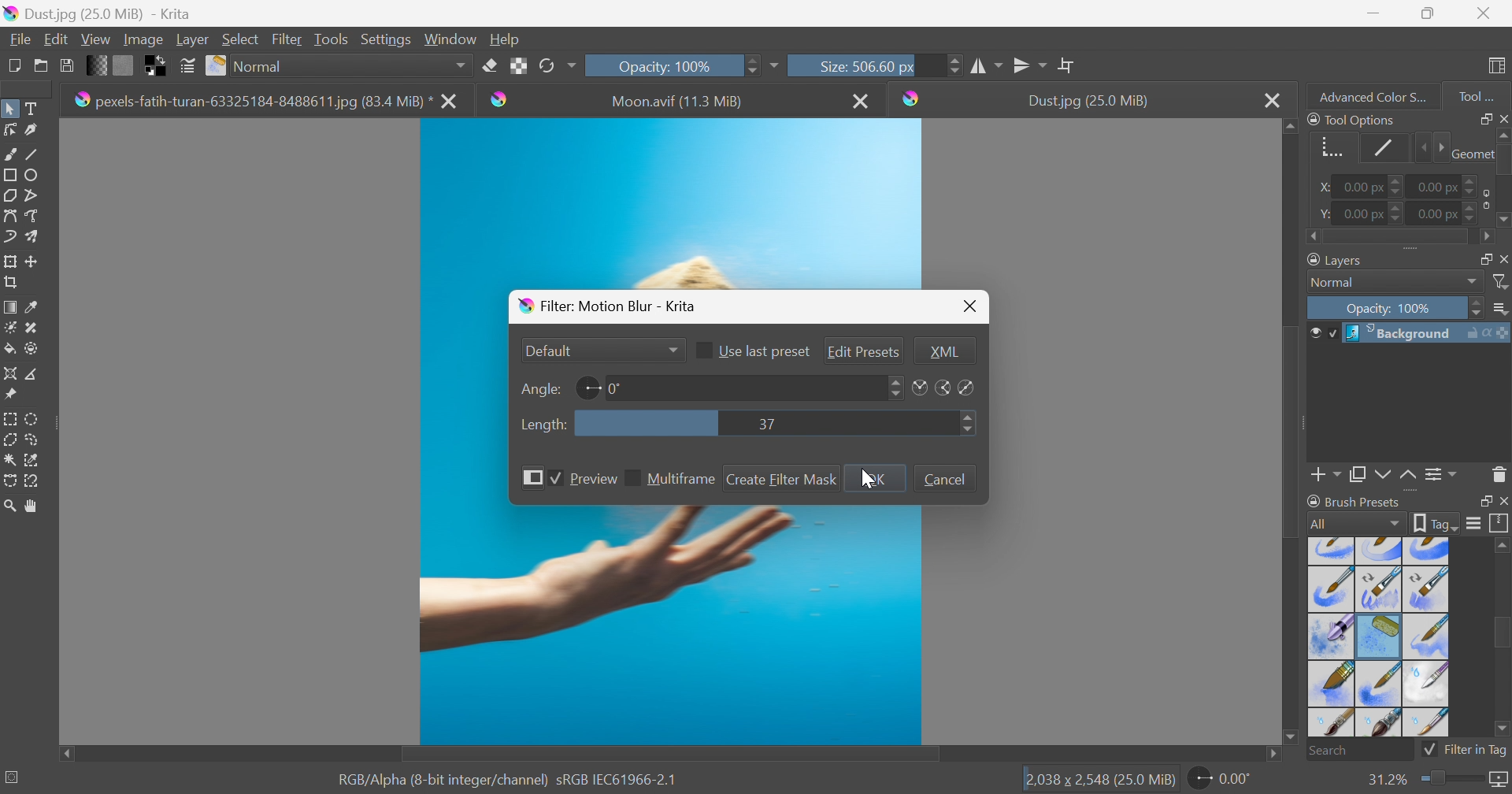 The image size is (1512, 794). I want to click on Slider, so click(1399, 238).